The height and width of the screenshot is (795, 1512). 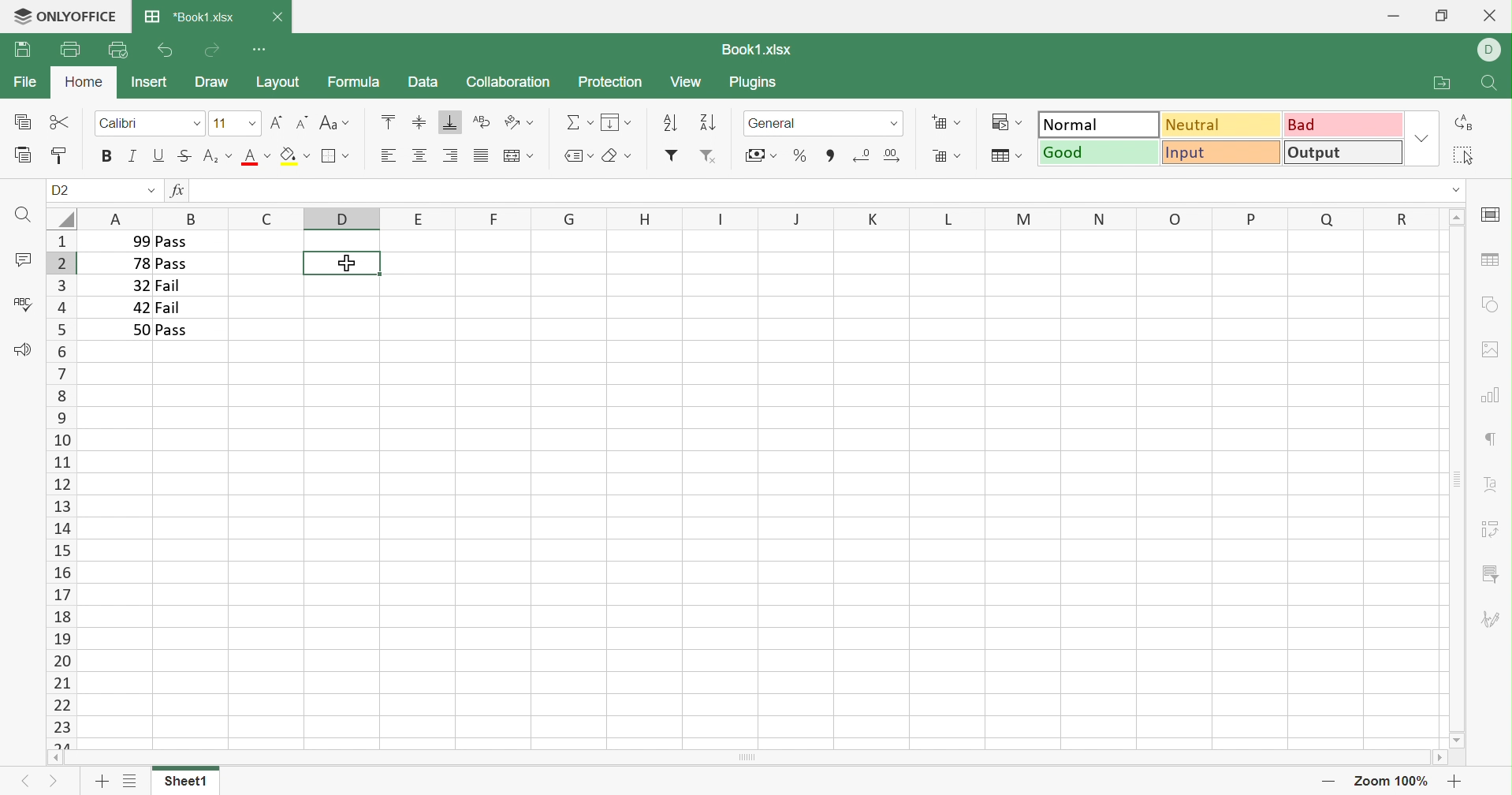 I want to click on Border, so click(x=336, y=156).